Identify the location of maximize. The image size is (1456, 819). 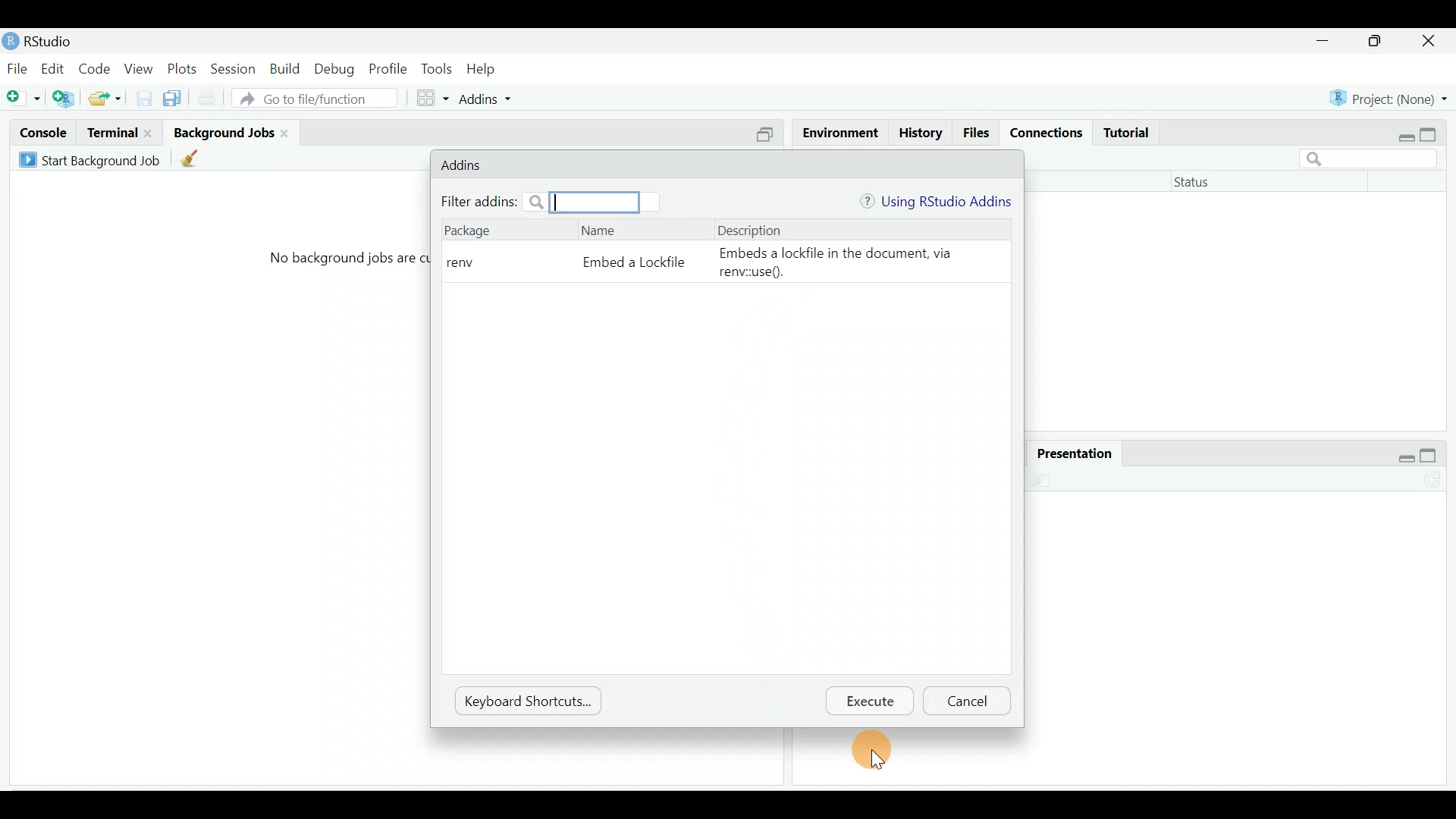
(1432, 451).